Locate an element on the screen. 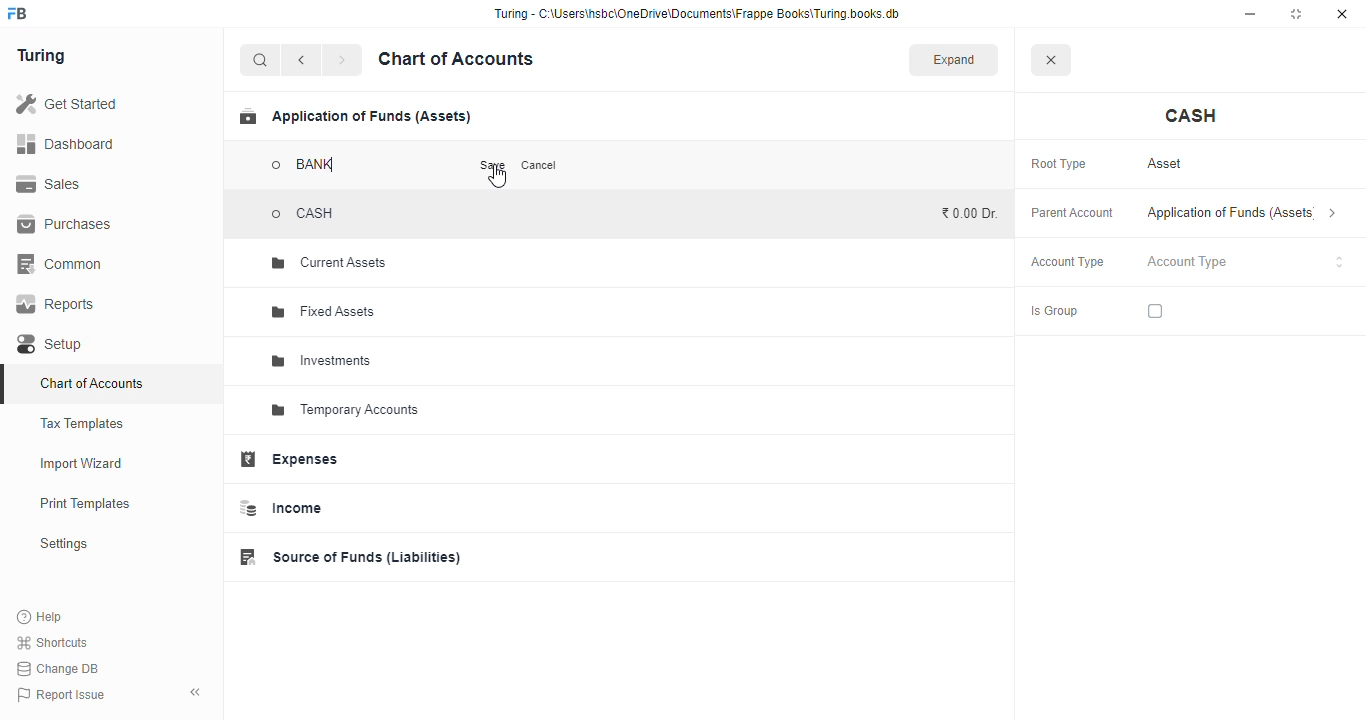 The image size is (1366, 720). close is located at coordinates (1050, 59).